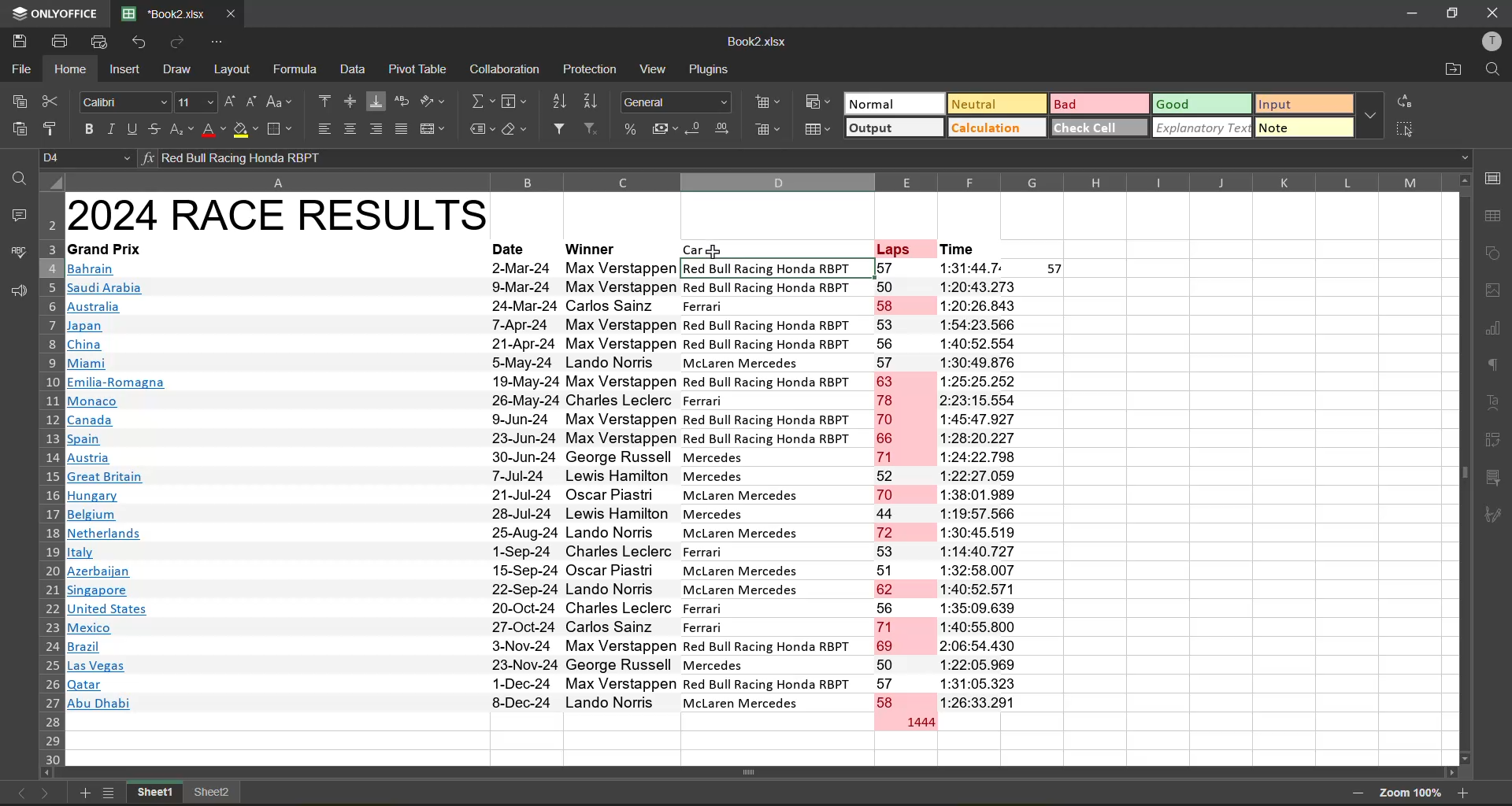 The height and width of the screenshot is (806, 1512). Describe the element at coordinates (350, 100) in the screenshot. I see `align middle` at that location.